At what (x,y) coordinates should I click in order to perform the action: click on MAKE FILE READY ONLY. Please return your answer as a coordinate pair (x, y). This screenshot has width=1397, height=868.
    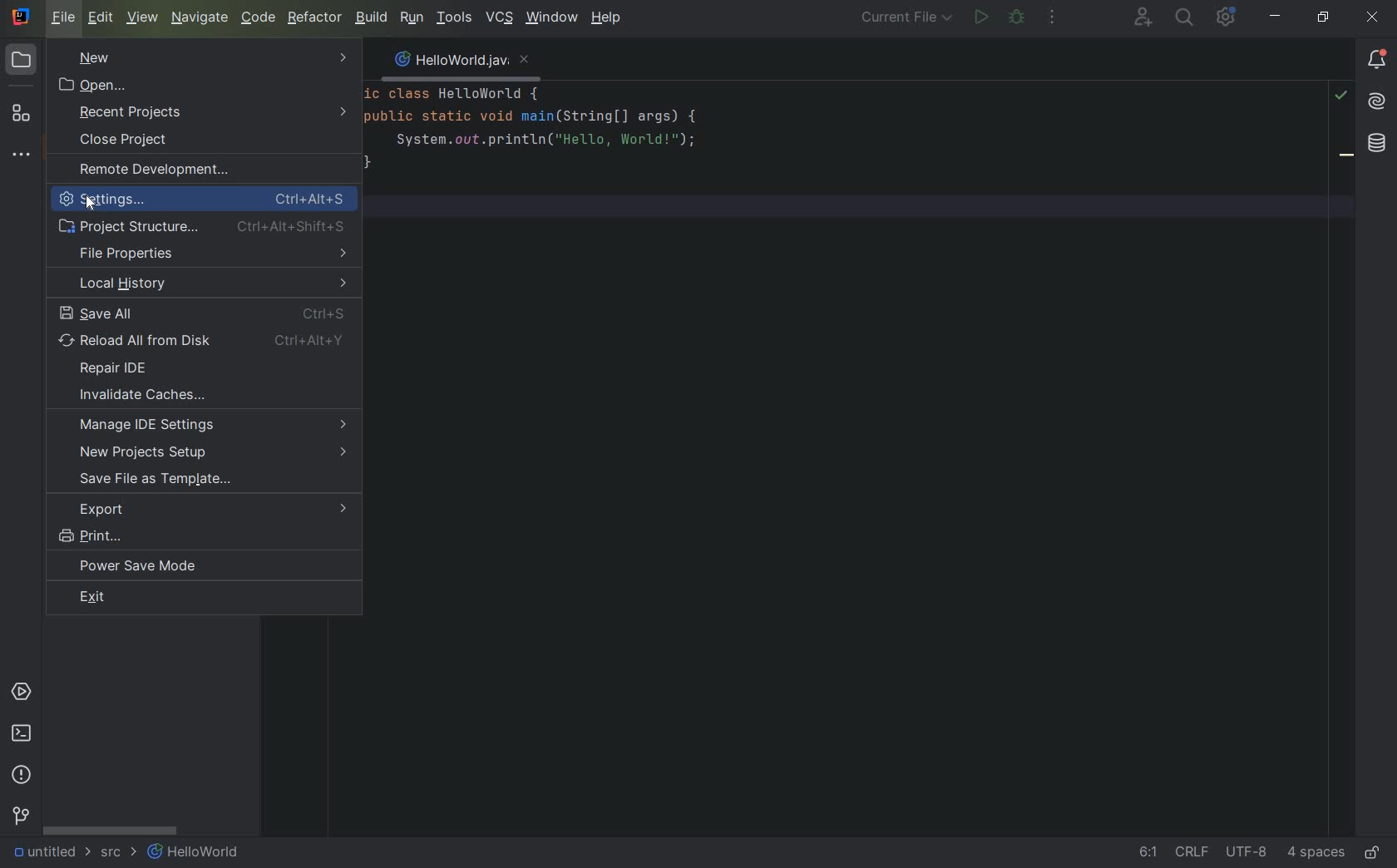
    Looking at the image, I should click on (1373, 854).